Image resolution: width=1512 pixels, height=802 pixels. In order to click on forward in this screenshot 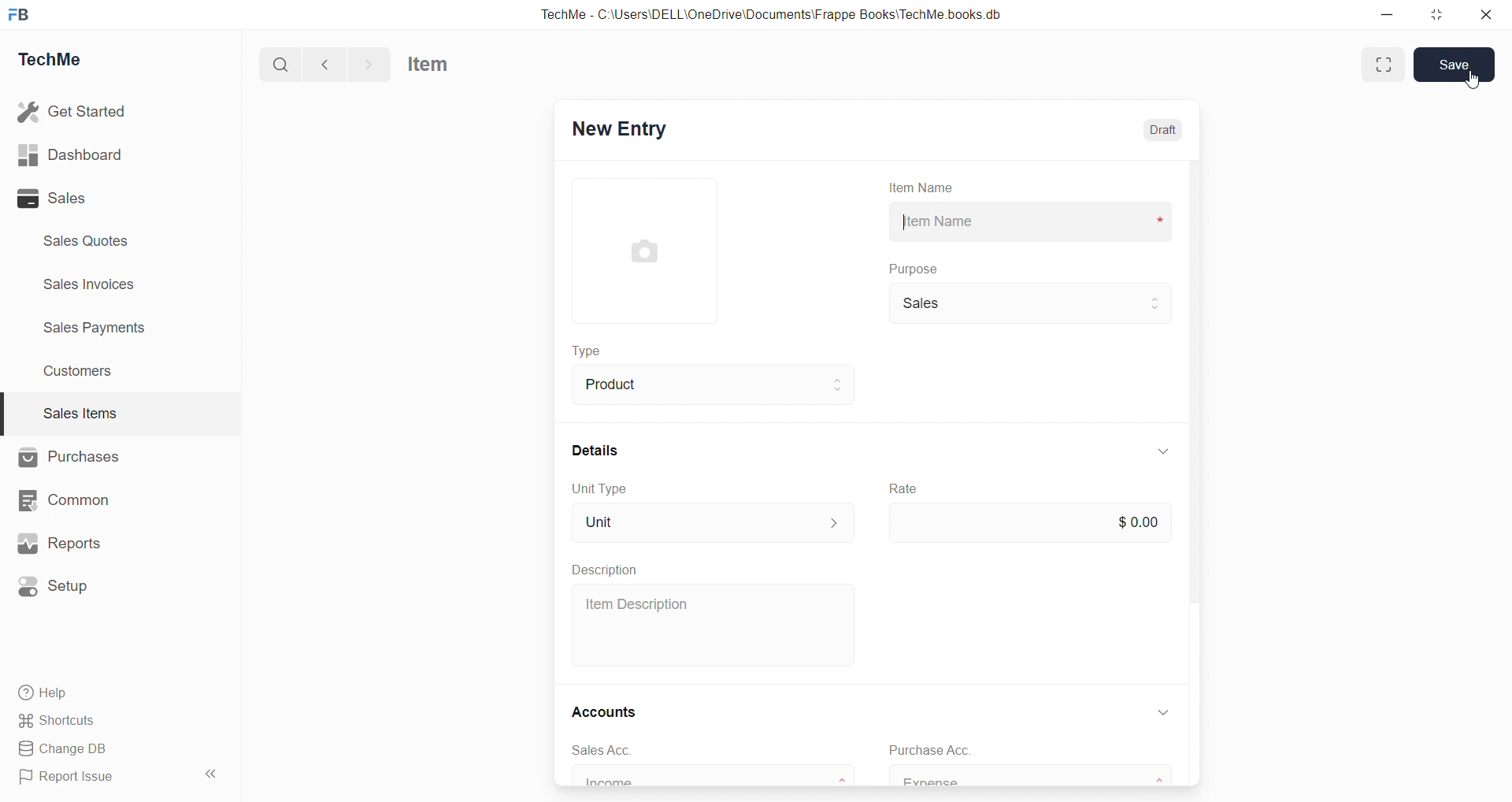, I will do `click(369, 64)`.